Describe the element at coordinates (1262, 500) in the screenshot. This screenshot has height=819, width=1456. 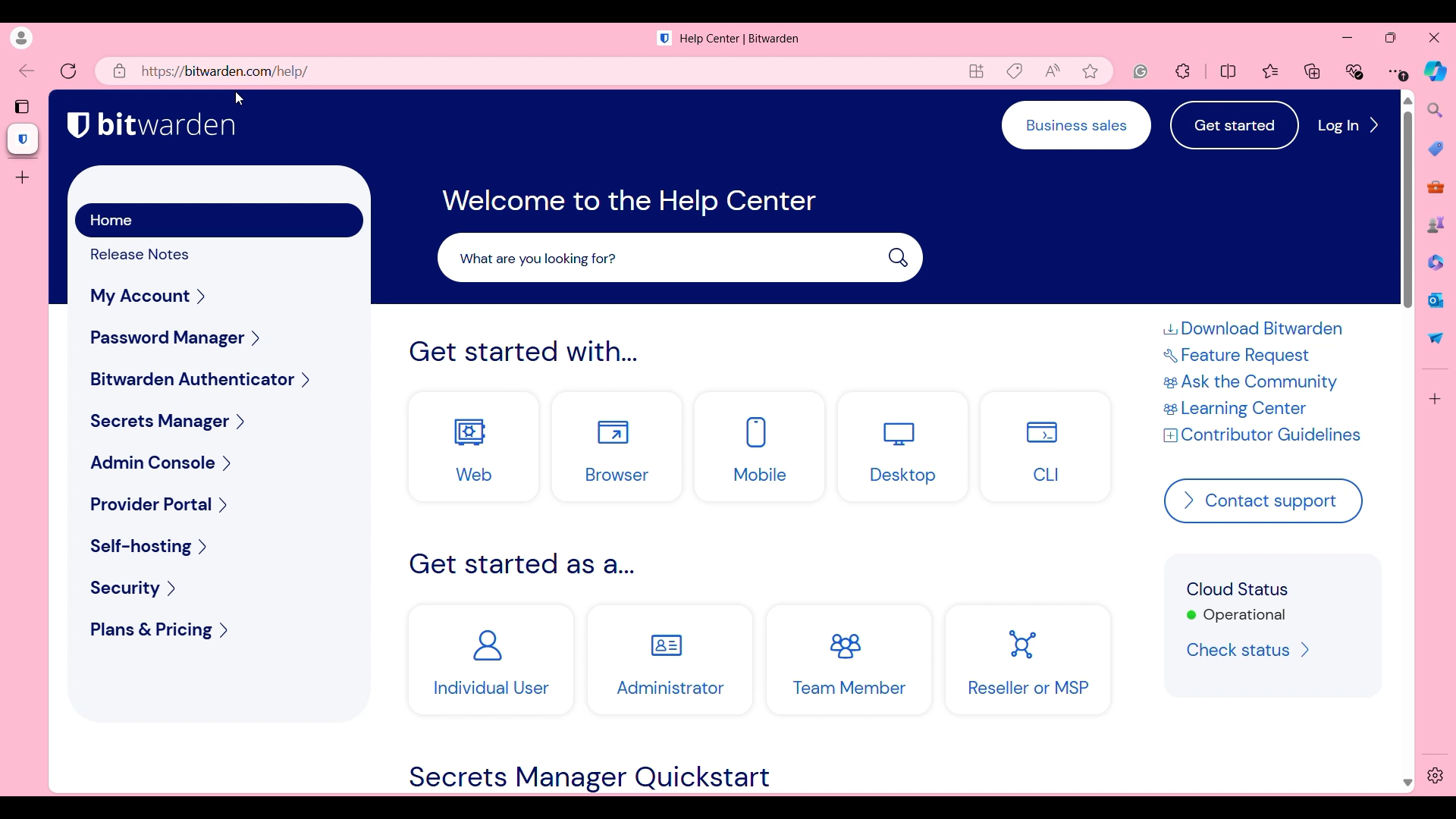
I see `Contact support` at that location.